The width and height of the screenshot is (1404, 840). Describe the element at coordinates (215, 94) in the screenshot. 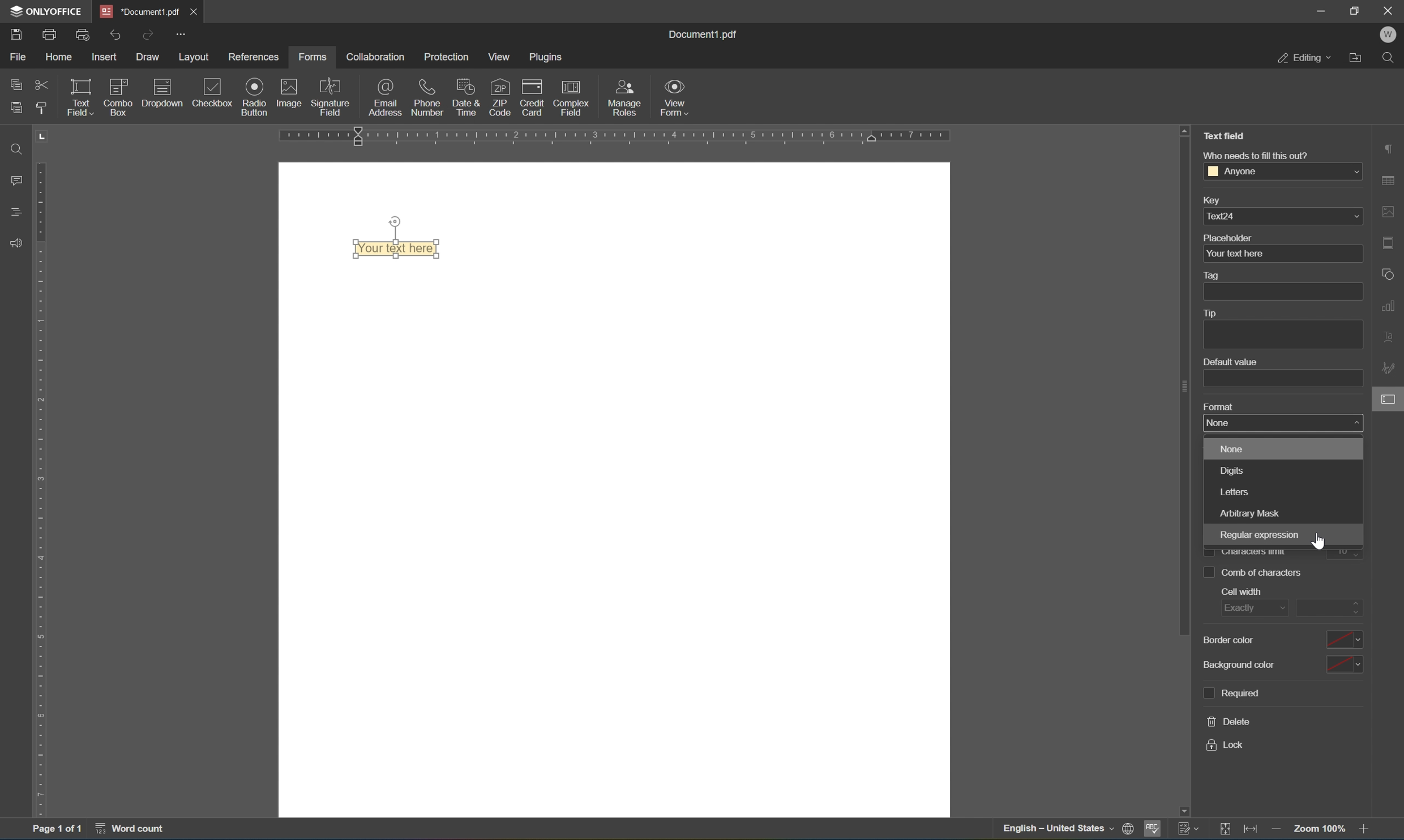

I see `checkbox` at that location.